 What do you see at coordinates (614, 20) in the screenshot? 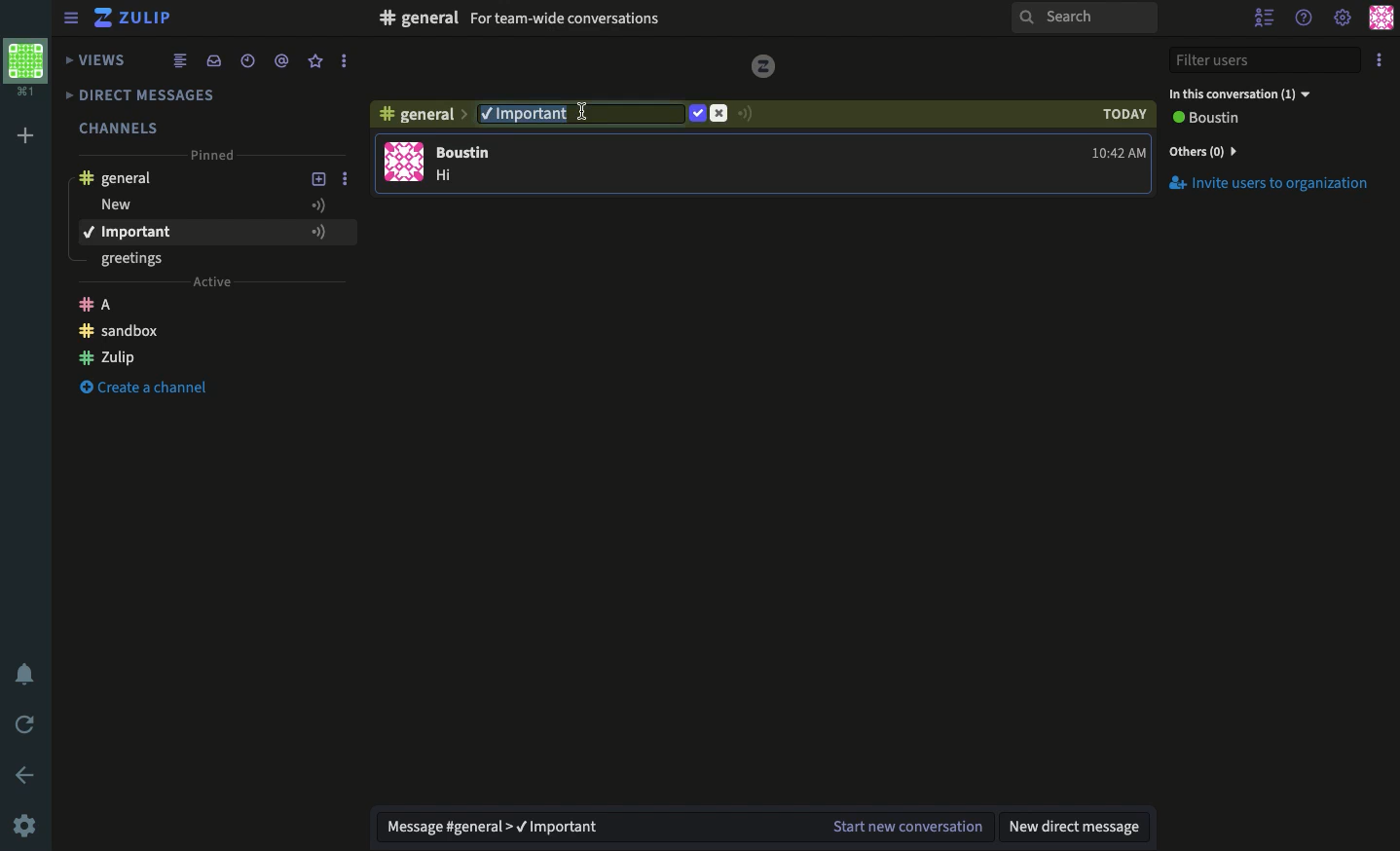
I see `Inbox` at bounding box center [614, 20].